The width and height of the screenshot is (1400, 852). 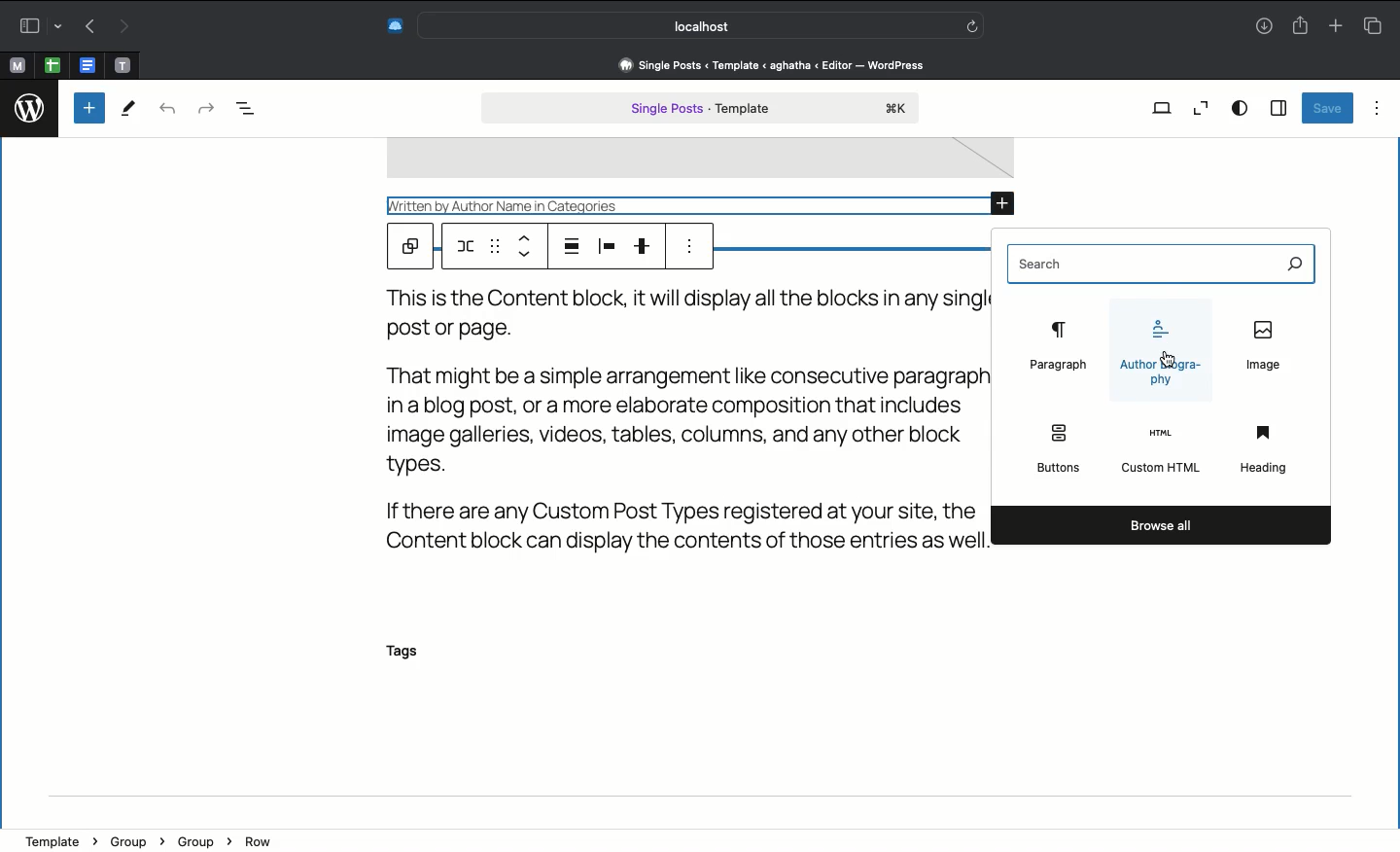 I want to click on Custom html, so click(x=1160, y=448).